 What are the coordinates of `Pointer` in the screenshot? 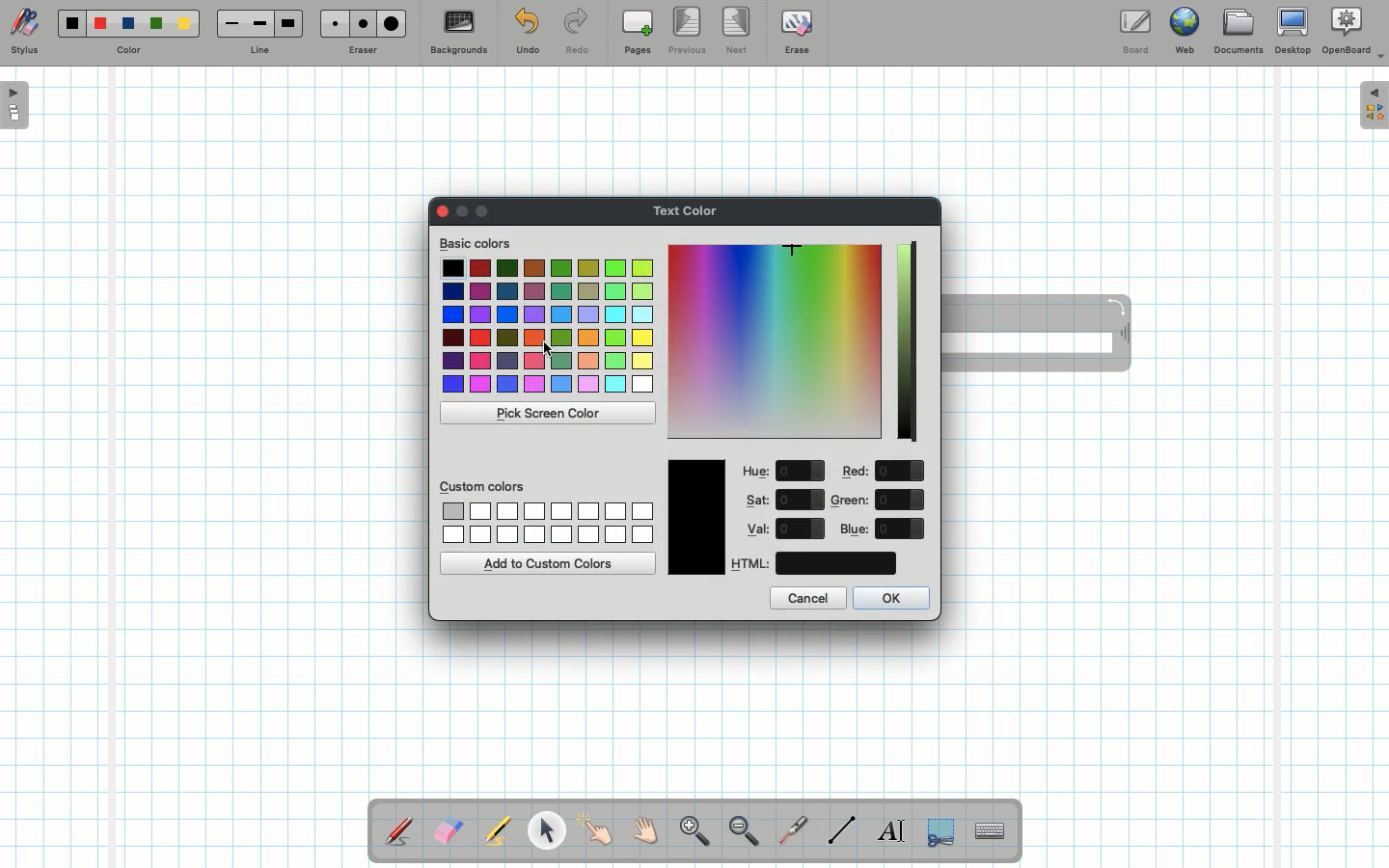 It's located at (596, 830).